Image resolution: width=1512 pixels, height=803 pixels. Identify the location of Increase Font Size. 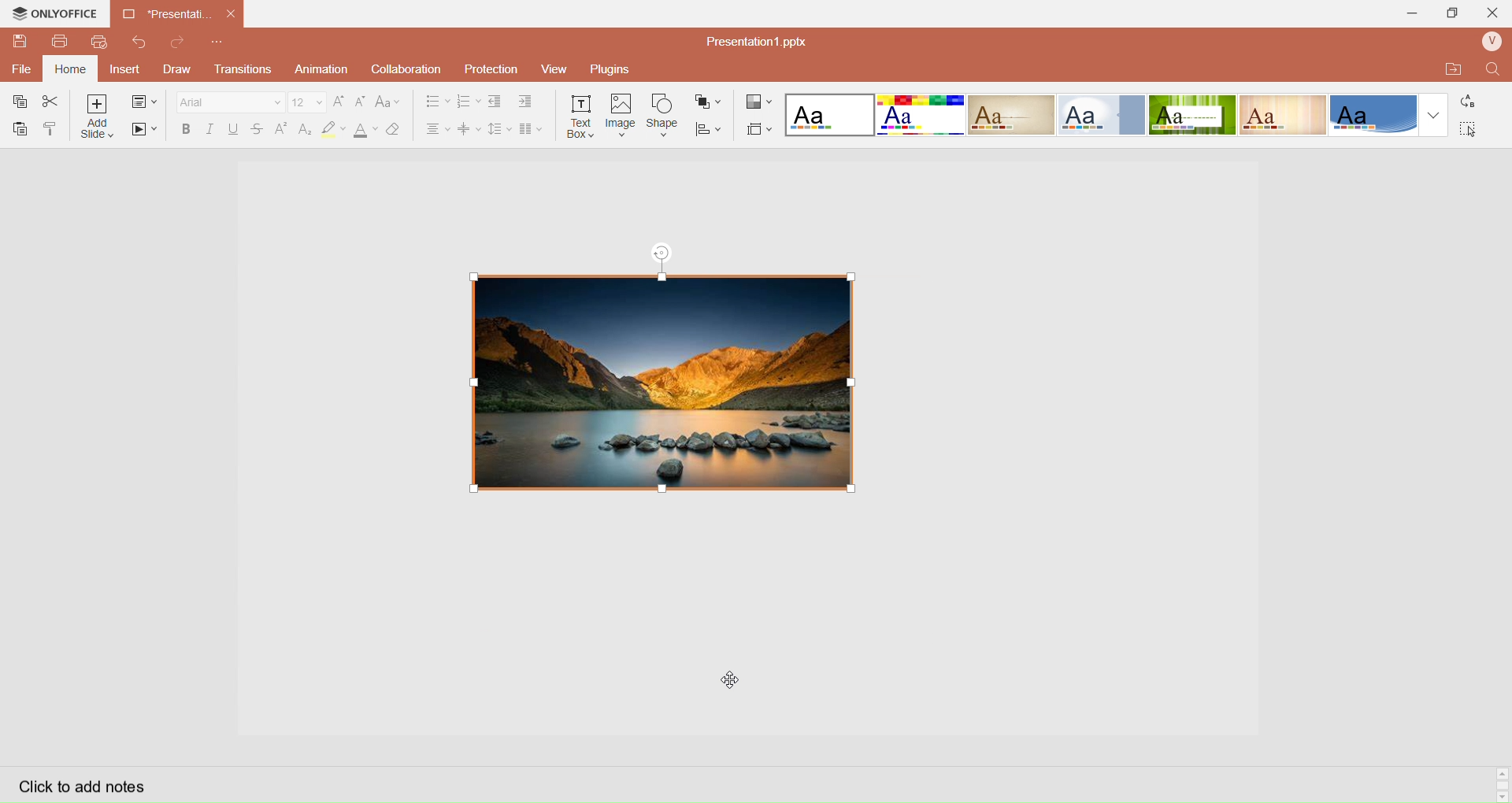
(338, 100).